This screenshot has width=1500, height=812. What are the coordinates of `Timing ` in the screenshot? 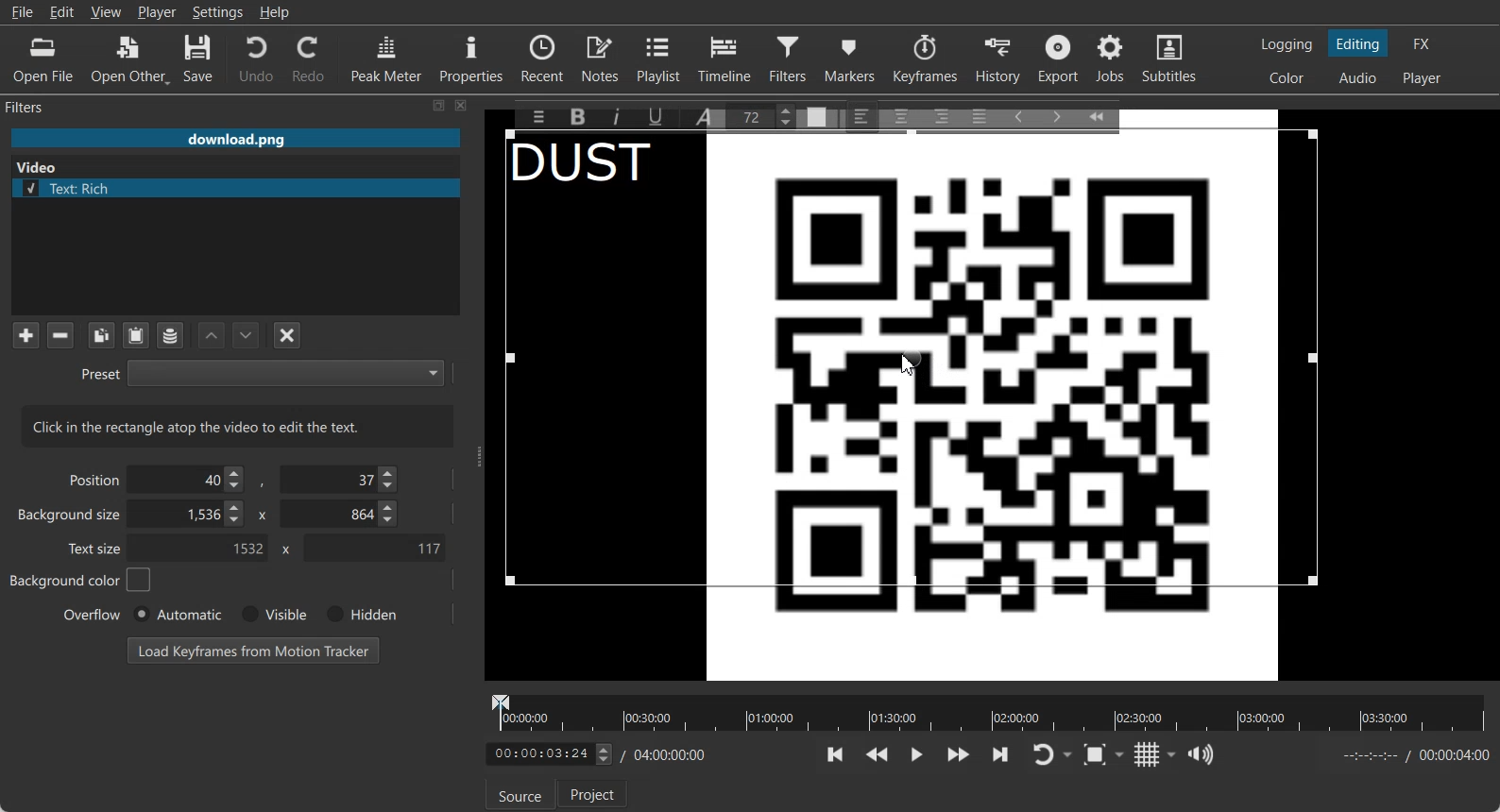 It's located at (666, 754).